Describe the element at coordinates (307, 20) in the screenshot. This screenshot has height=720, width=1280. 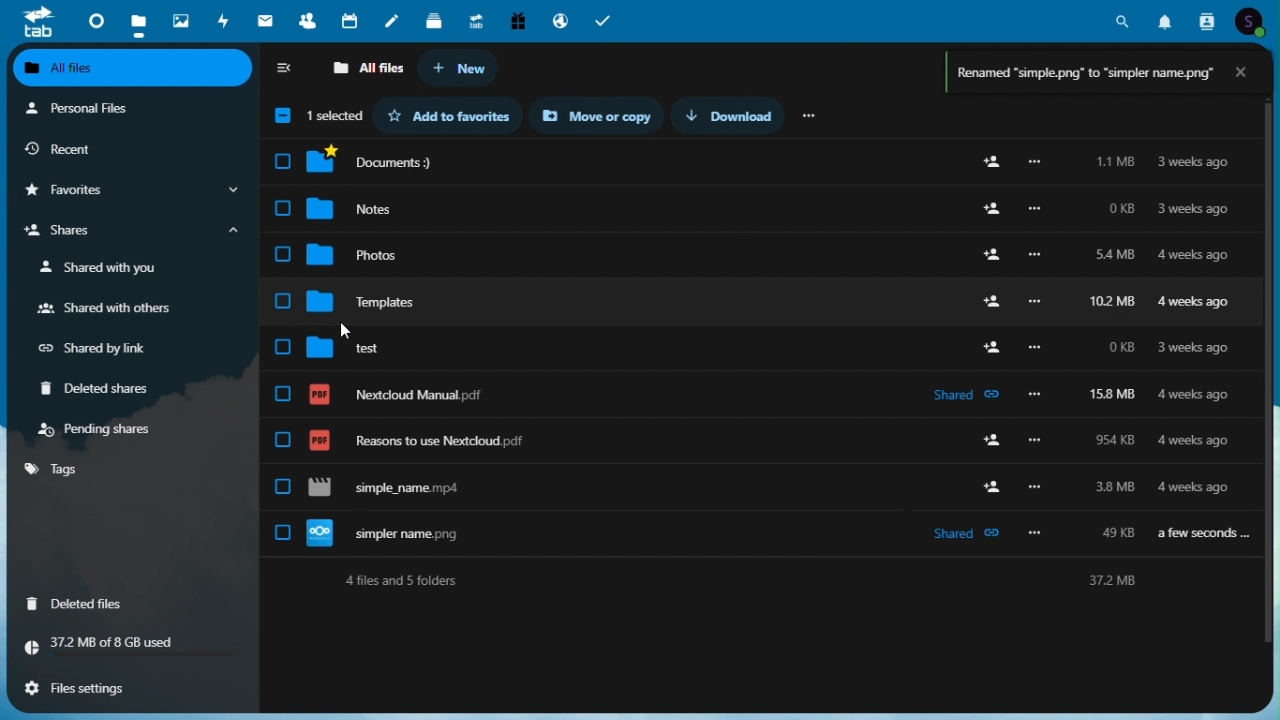
I see `contacts` at that location.